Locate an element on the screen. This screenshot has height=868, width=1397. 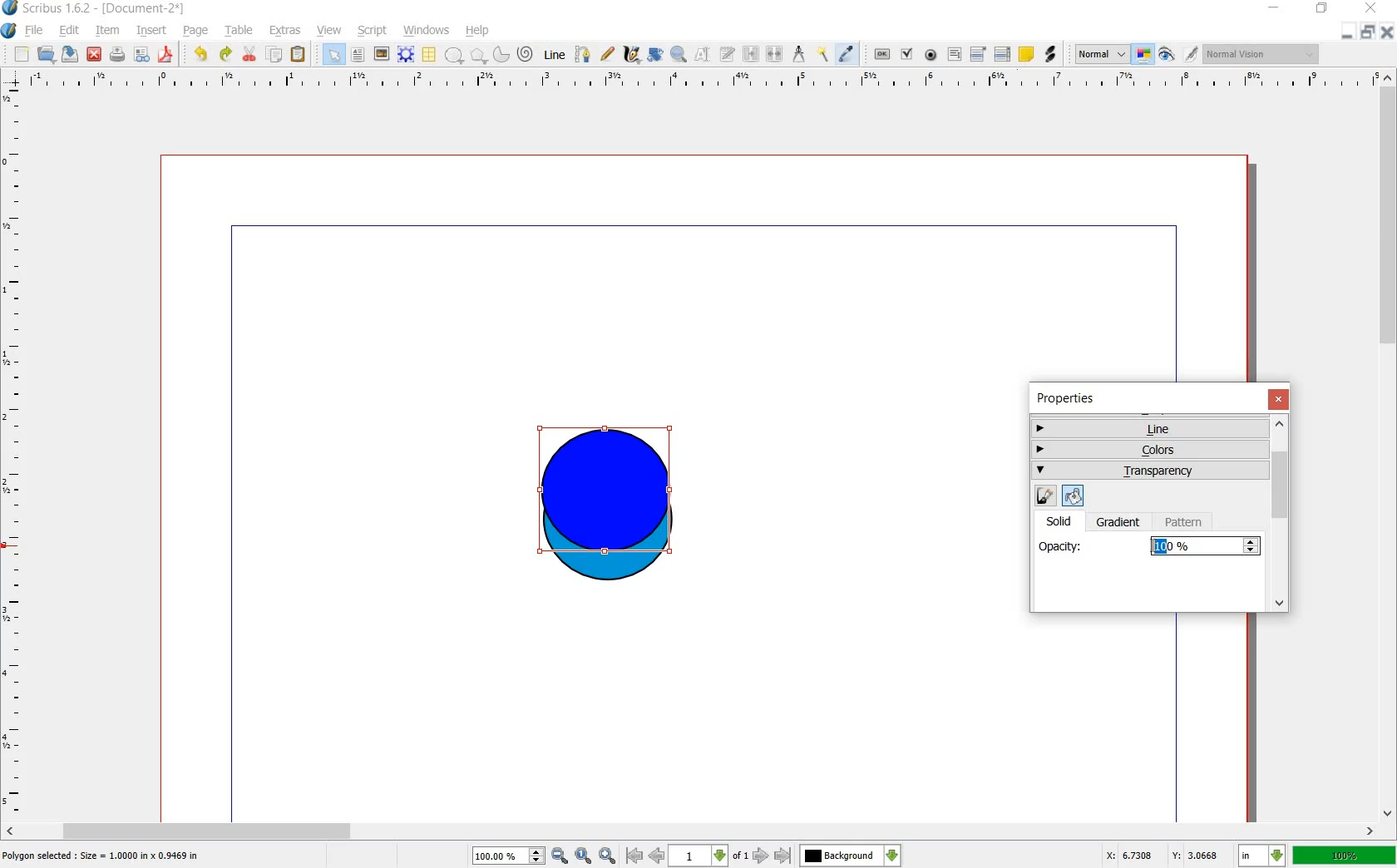
file is located at coordinates (35, 31).